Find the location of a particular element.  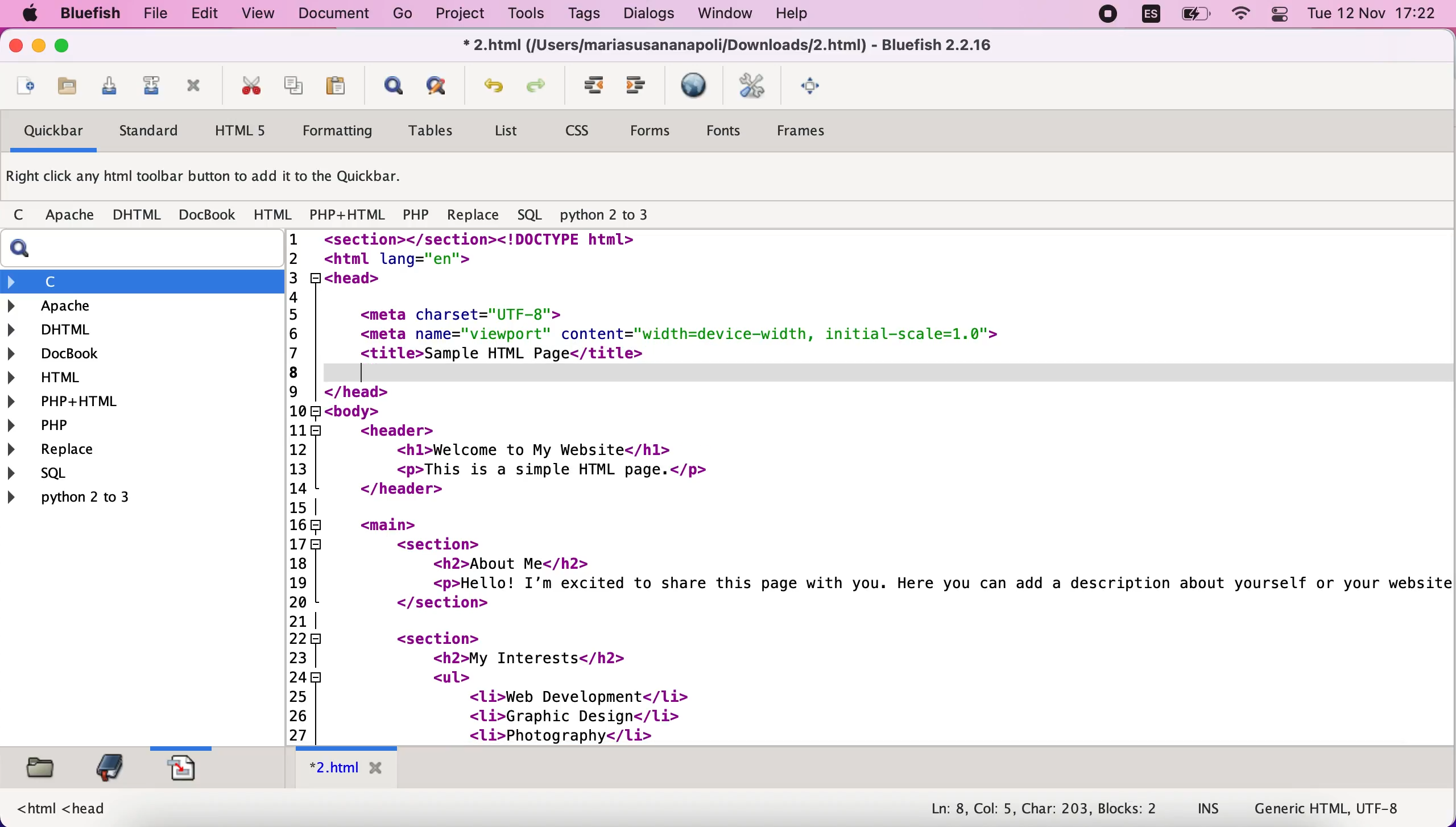

paste is located at coordinates (340, 86).